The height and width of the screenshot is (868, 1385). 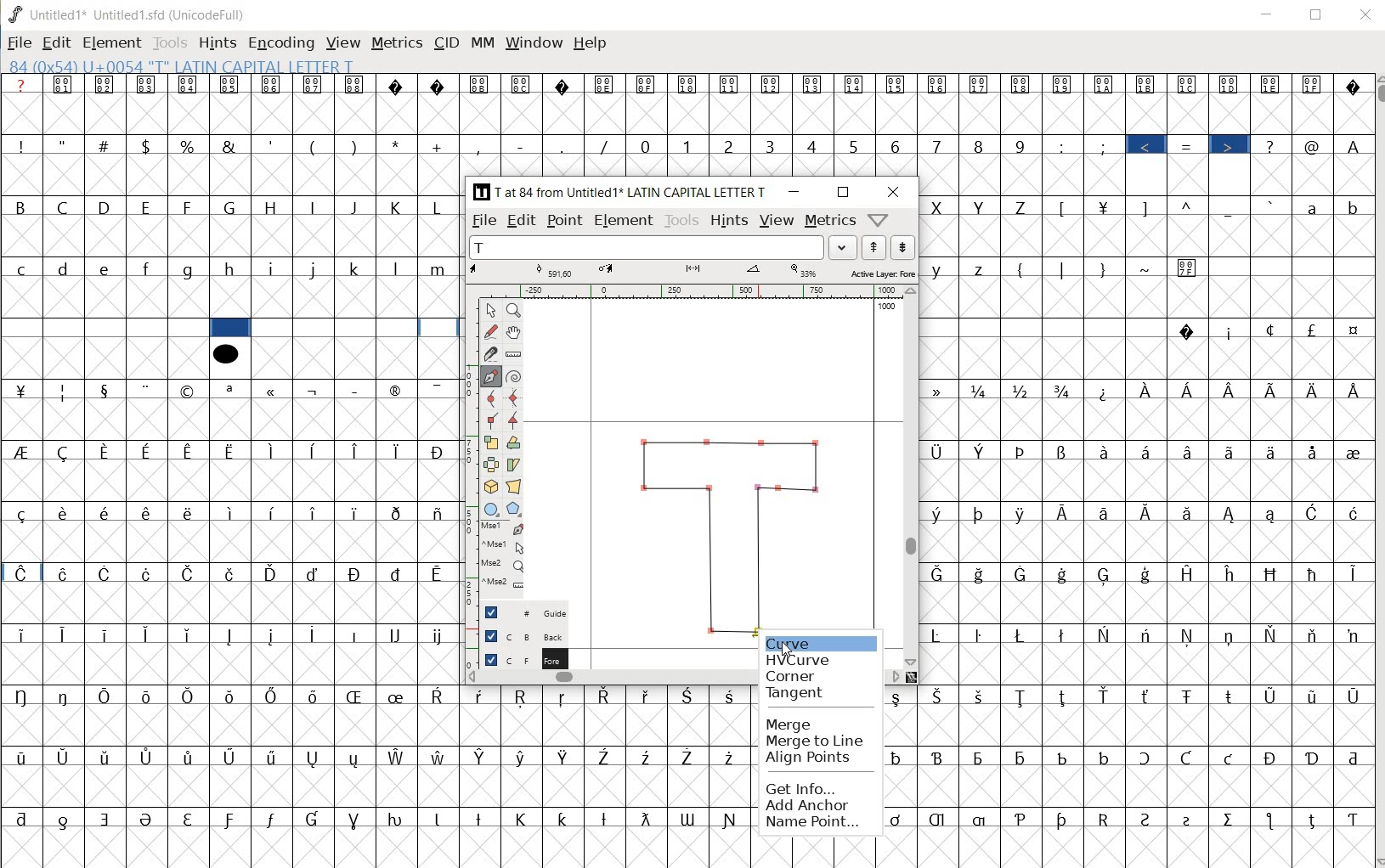 I want to click on Symbol, so click(x=315, y=758).